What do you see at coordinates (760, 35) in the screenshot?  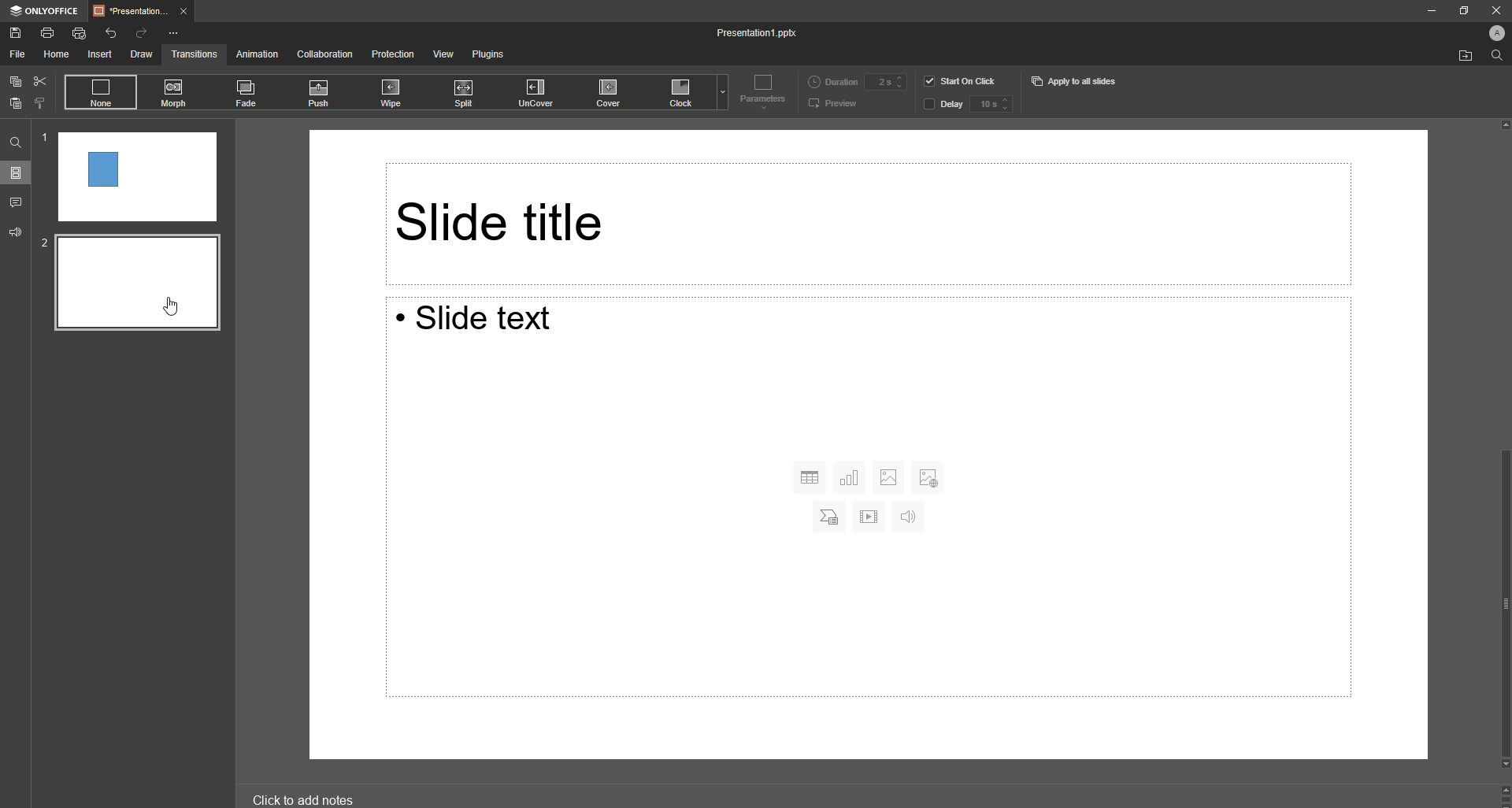 I see `Presentation 1` at bounding box center [760, 35].